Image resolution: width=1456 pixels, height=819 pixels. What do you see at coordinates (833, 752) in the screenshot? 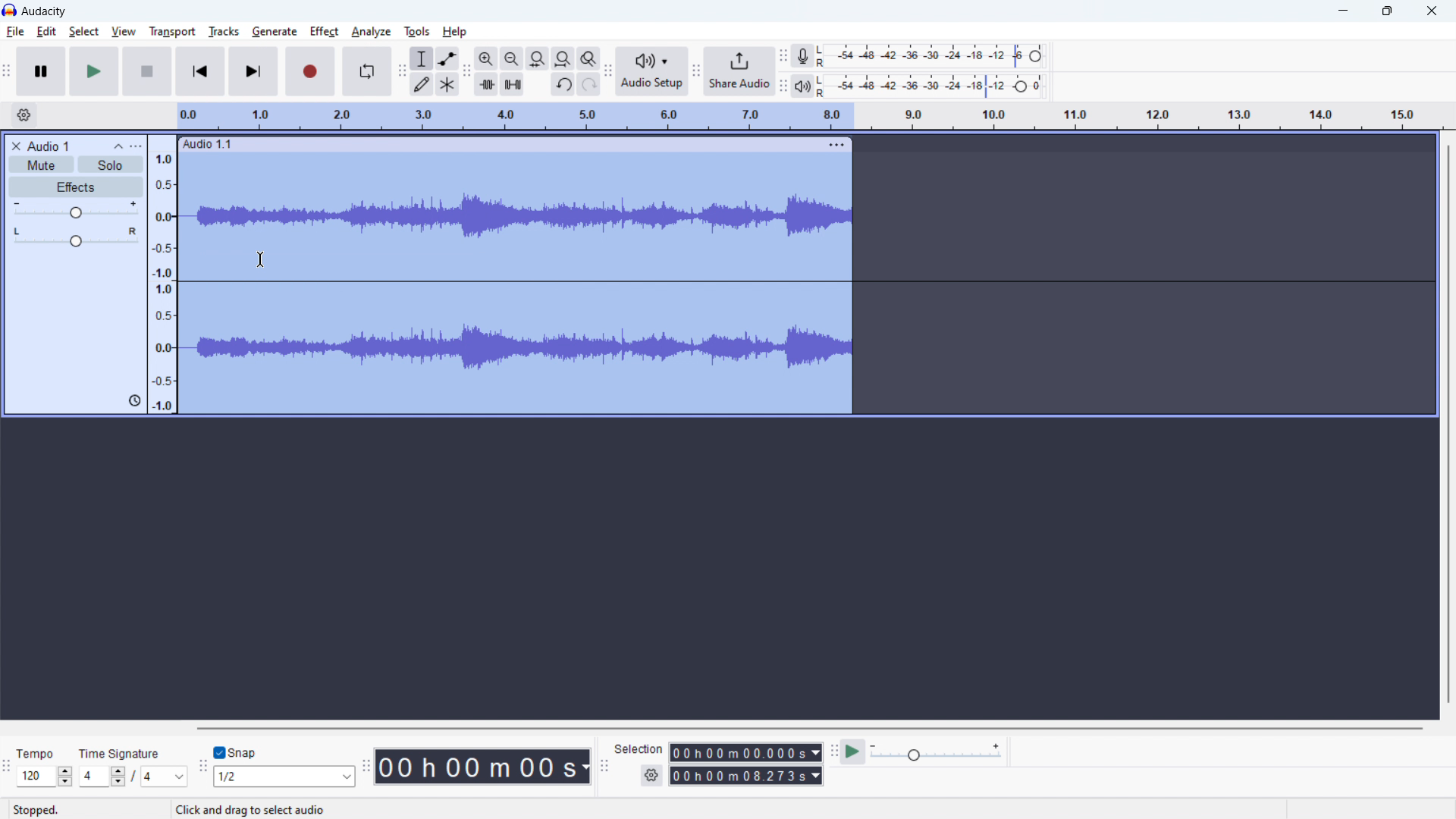
I see `play at speed toolbar` at bounding box center [833, 752].